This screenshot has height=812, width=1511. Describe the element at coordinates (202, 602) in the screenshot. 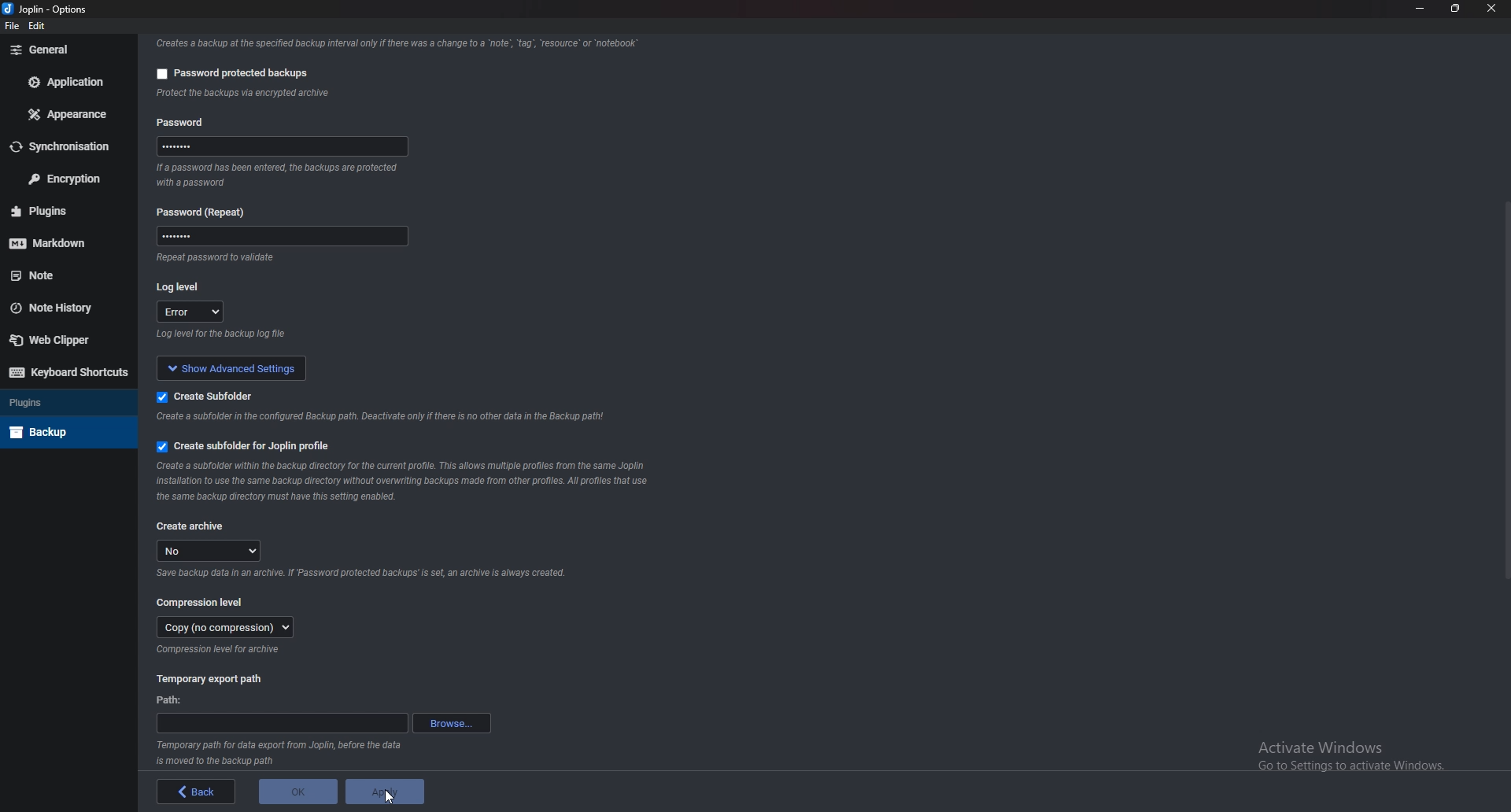

I see `Compression level` at that location.